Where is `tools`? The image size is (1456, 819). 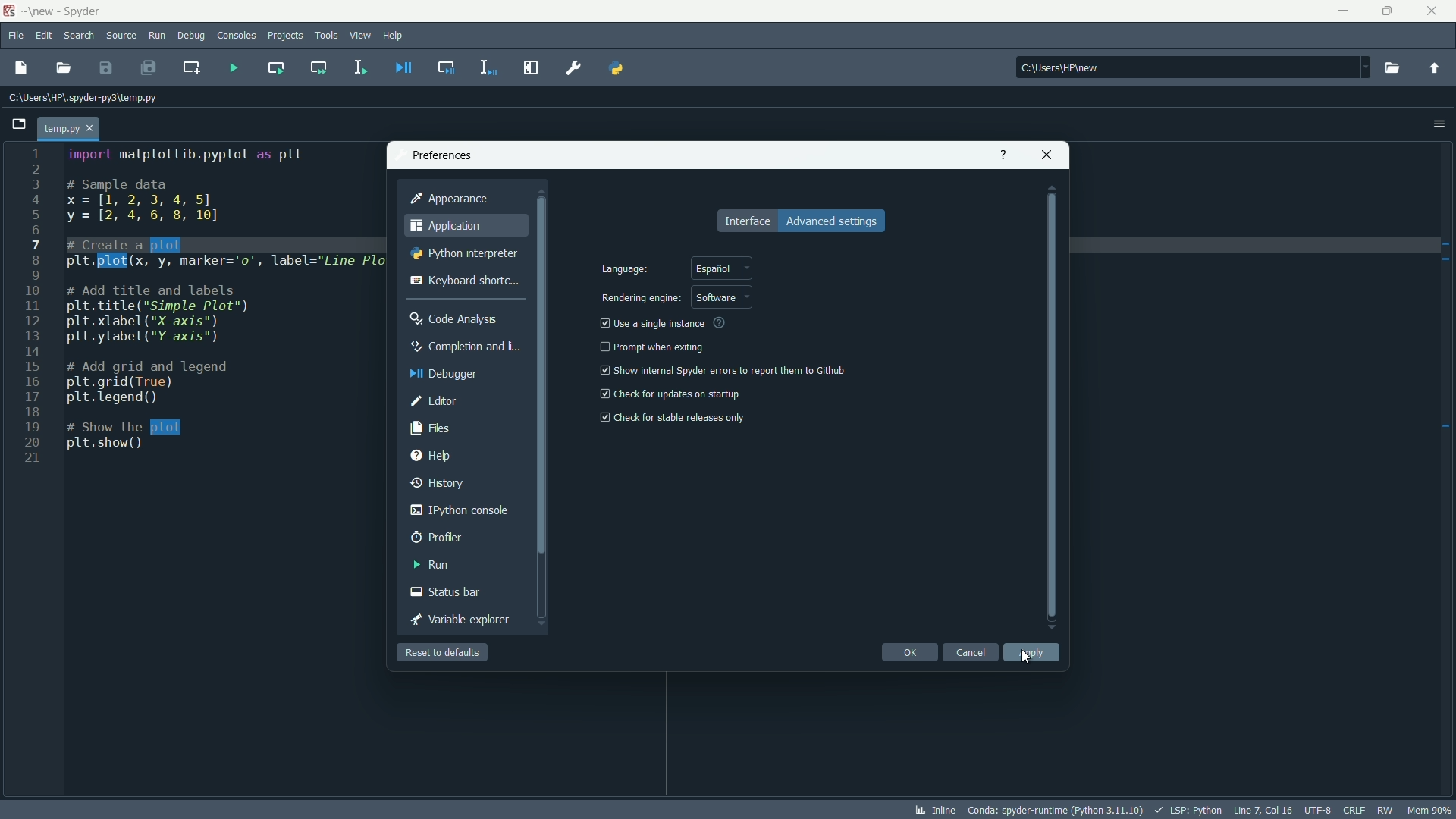 tools is located at coordinates (327, 36).